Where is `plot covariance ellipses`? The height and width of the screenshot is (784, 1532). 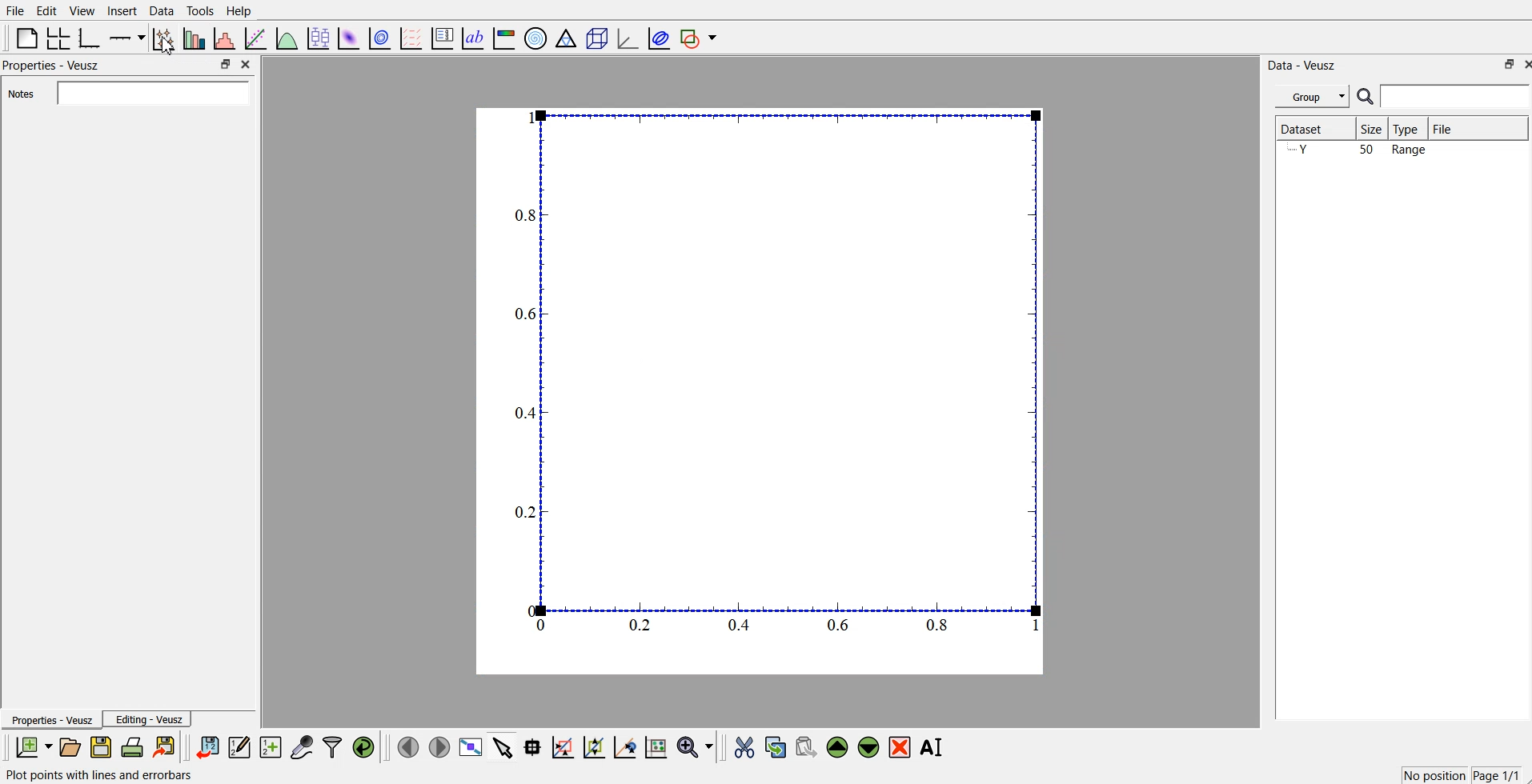
plot covariance ellipses is located at coordinates (658, 37).